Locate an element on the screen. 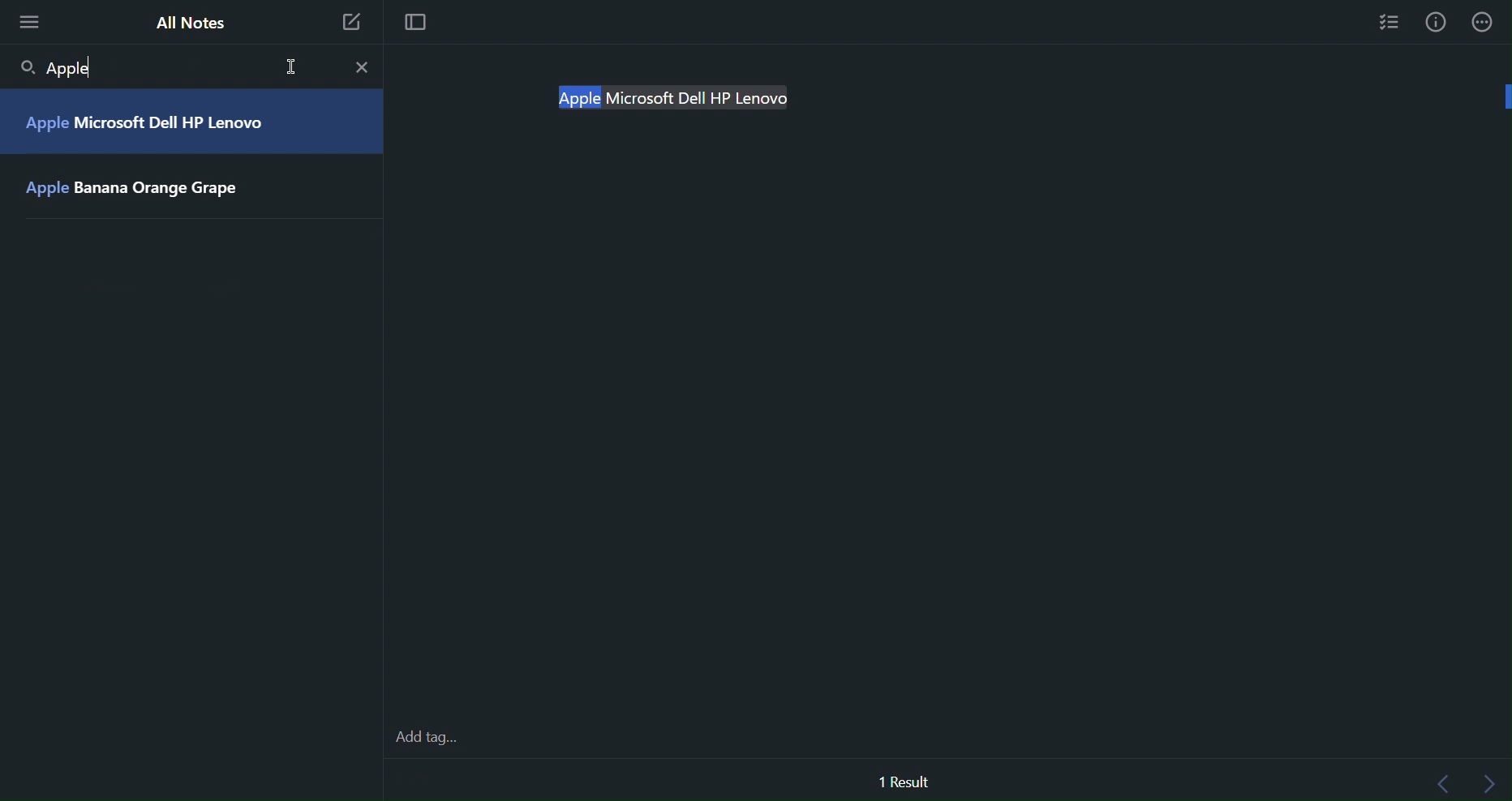  vertical scroll bar is located at coordinates (1501, 97).